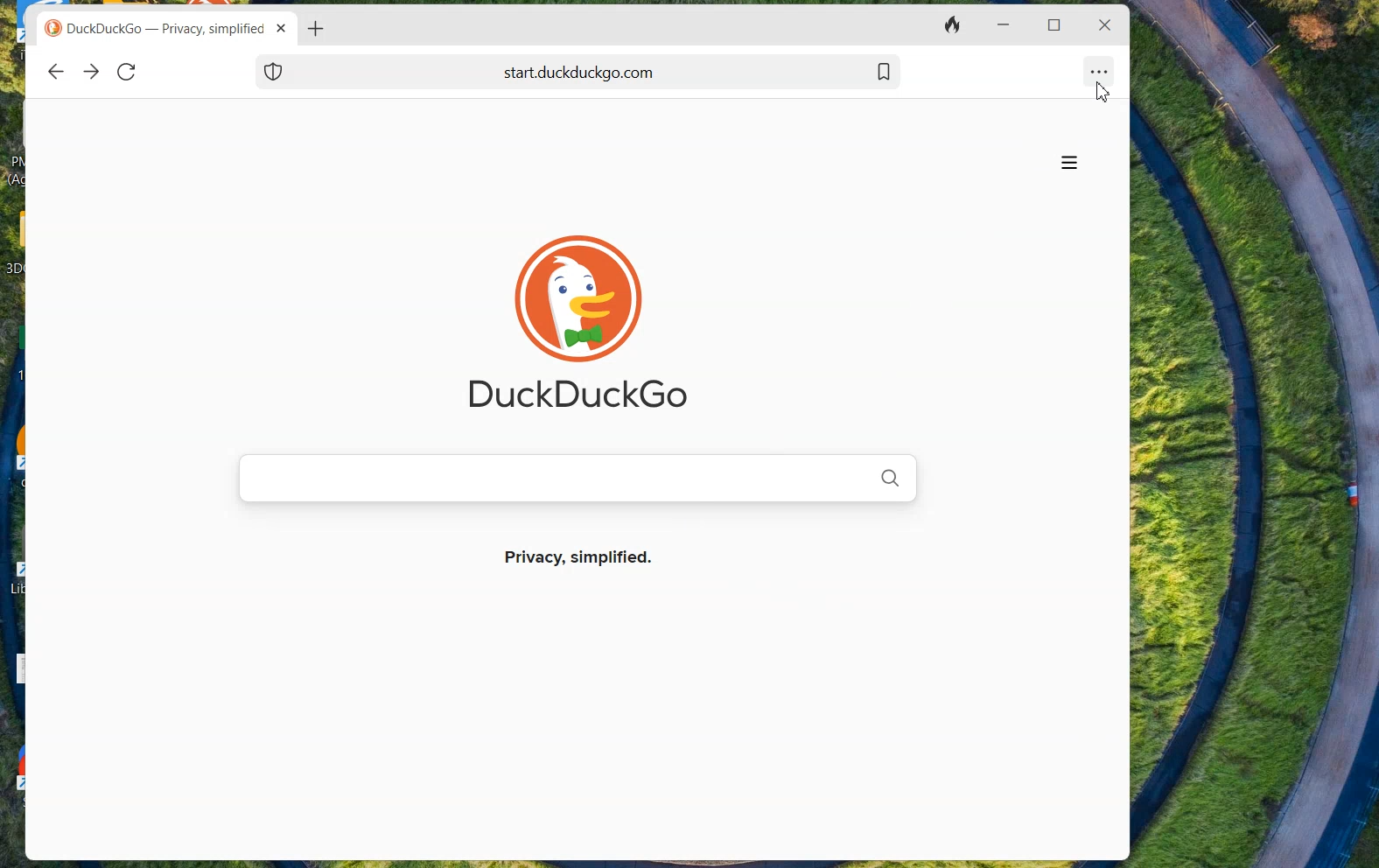 This screenshot has width=1379, height=868. I want to click on Maximize , so click(1057, 24).